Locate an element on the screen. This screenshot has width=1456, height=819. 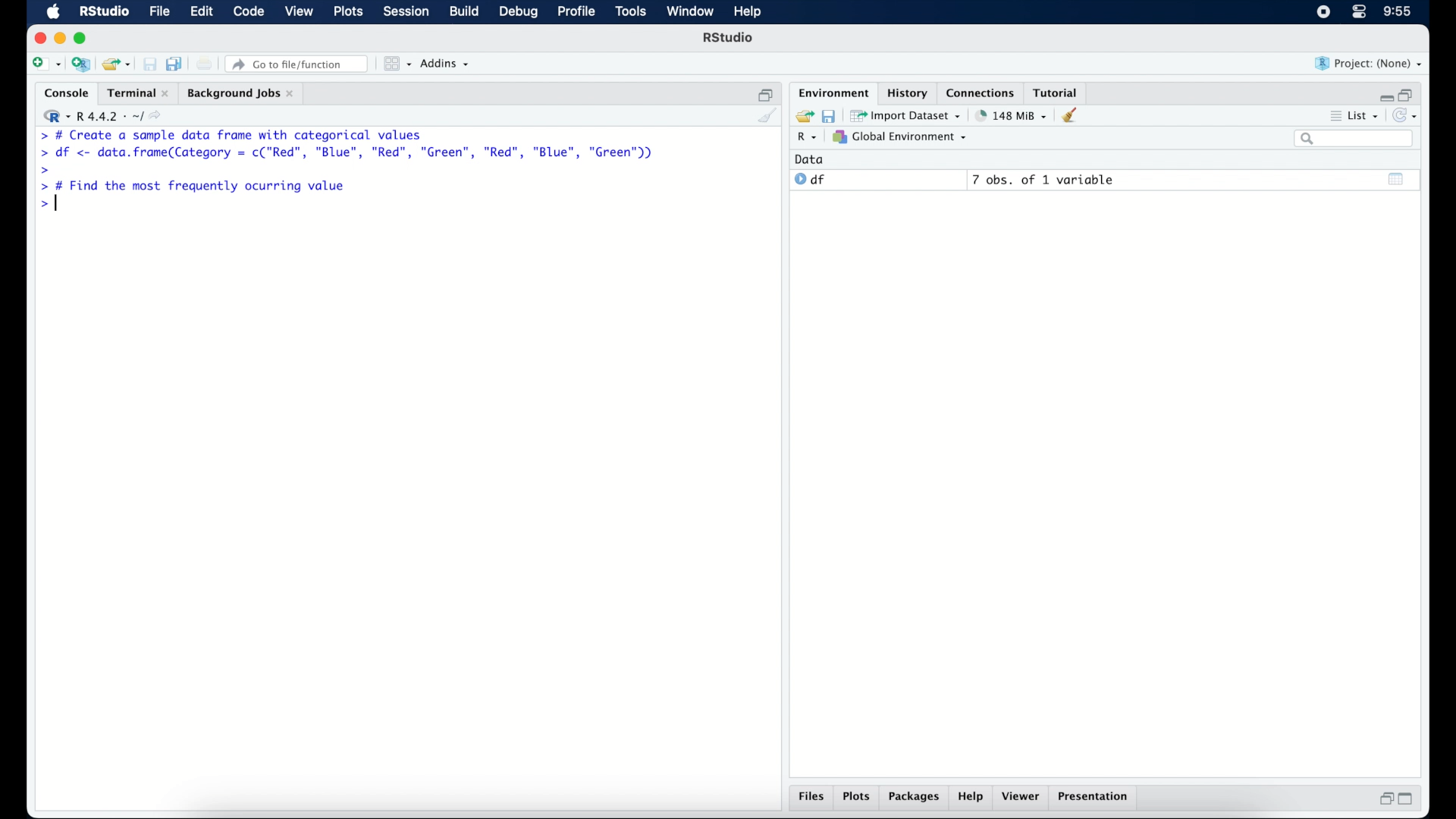
new file is located at coordinates (45, 63).